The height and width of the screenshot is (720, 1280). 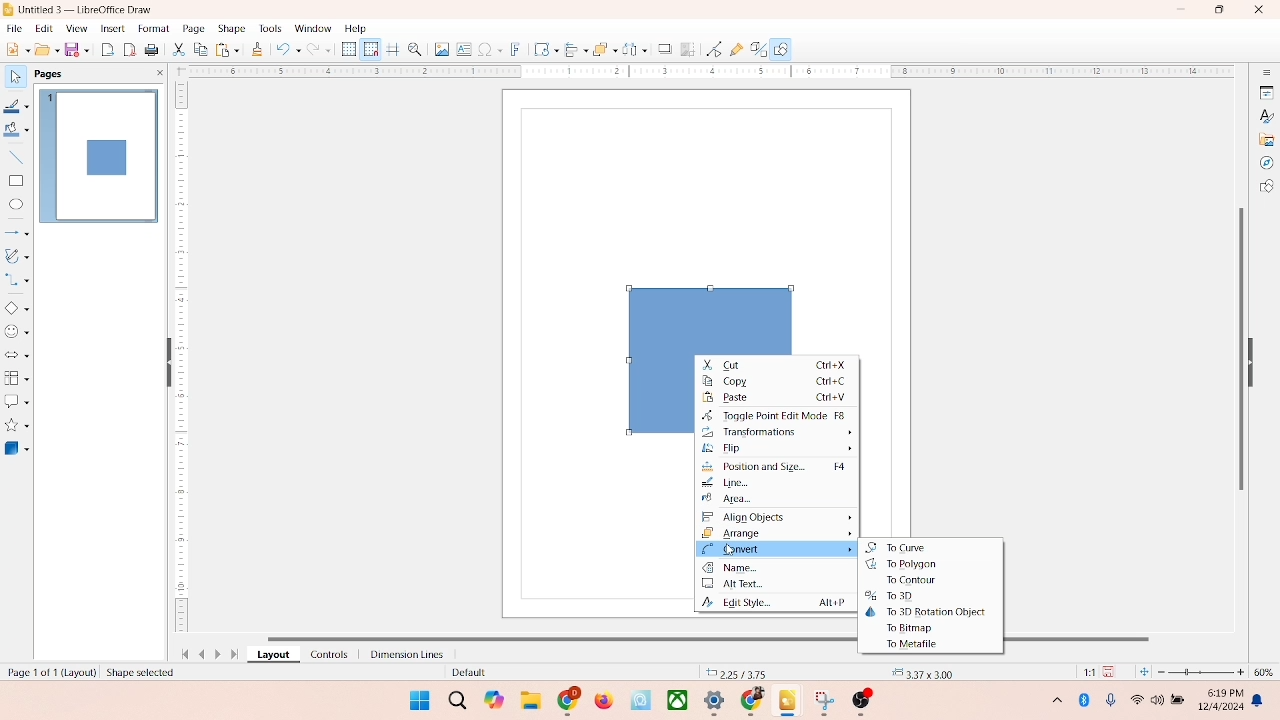 I want to click on image, so click(x=439, y=49).